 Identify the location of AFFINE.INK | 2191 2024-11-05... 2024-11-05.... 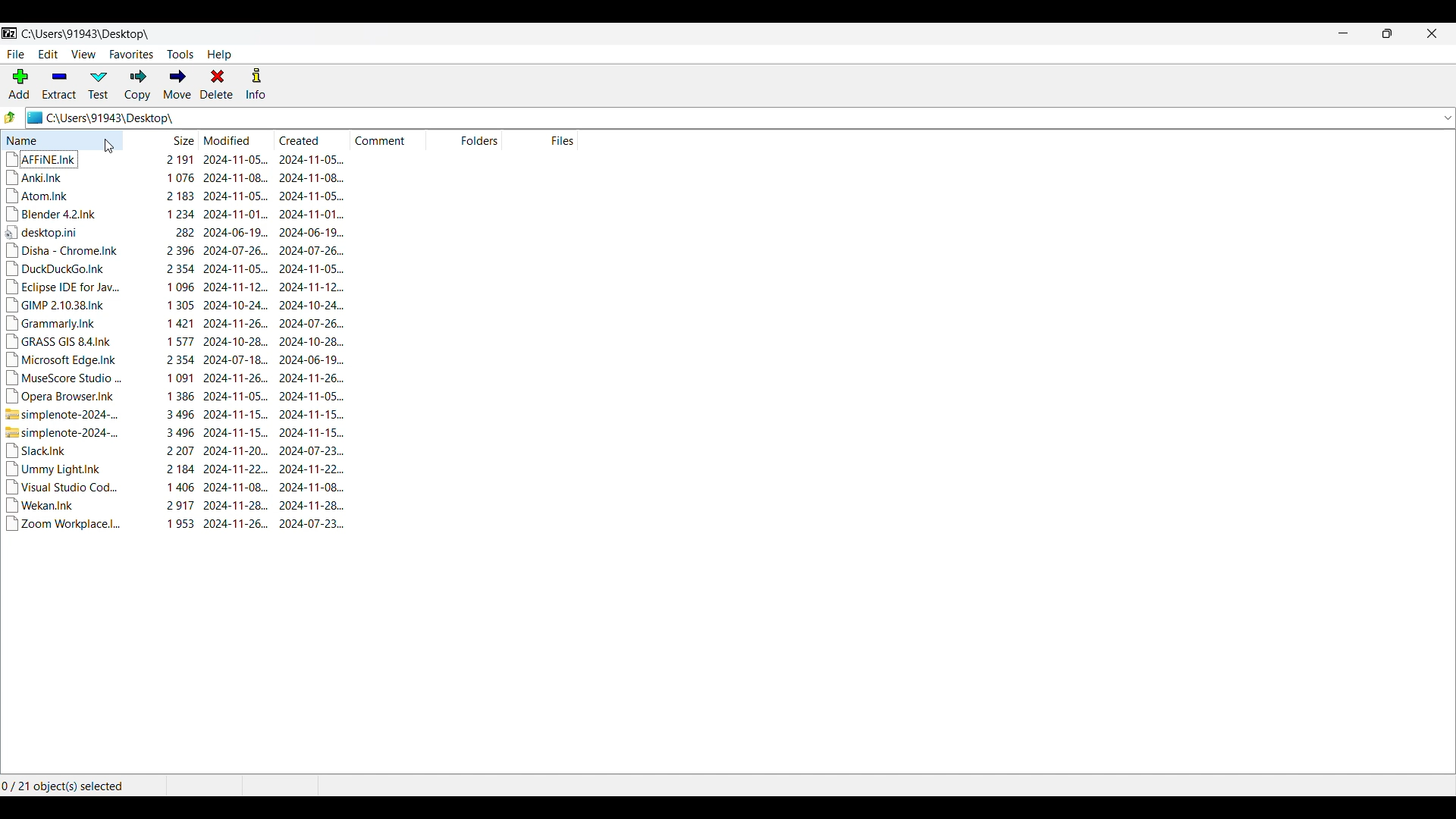
(177, 159).